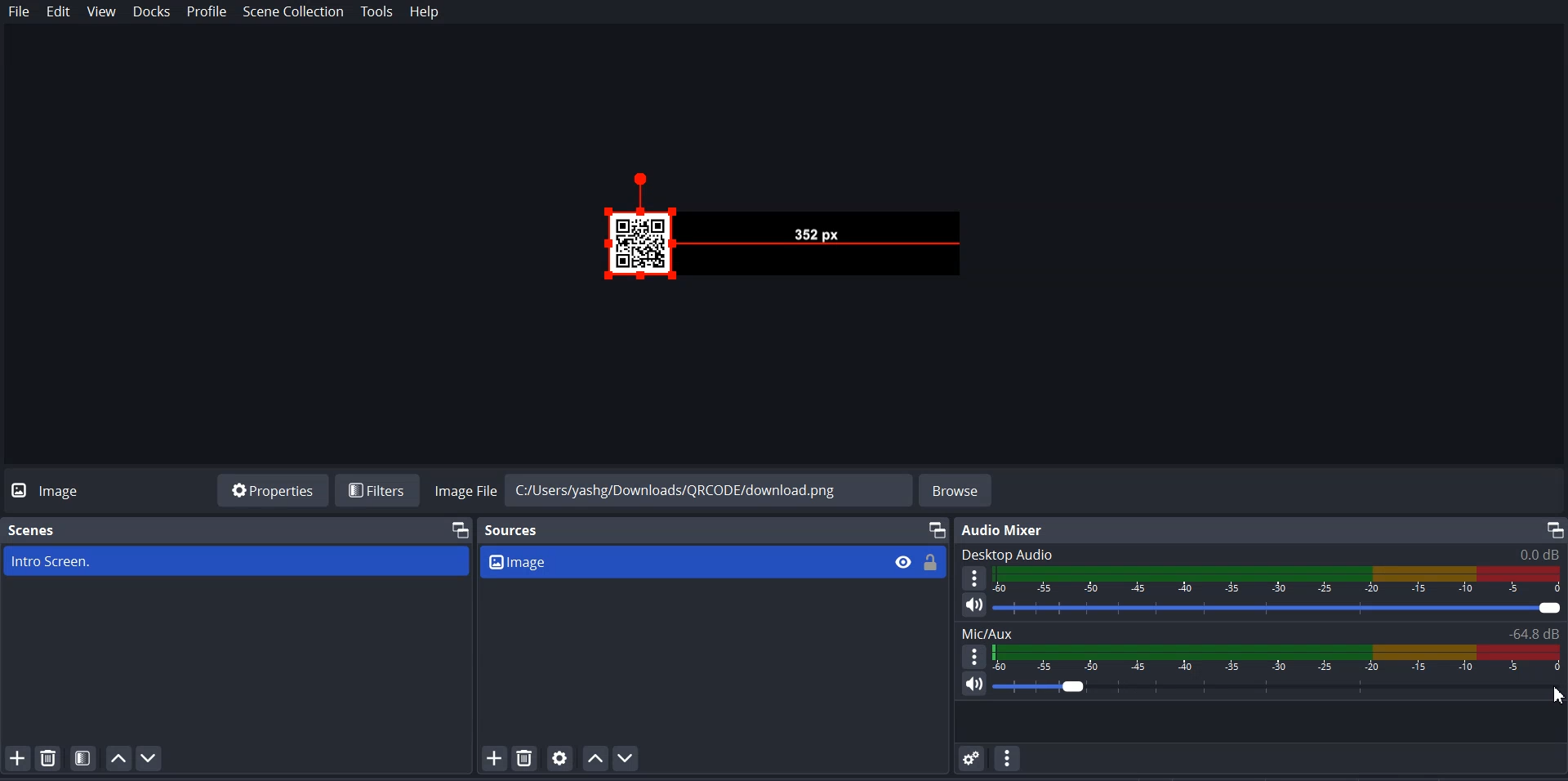 The image size is (1568, 781). Describe the element at coordinates (494, 758) in the screenshot. I see `Add Source` at that location.